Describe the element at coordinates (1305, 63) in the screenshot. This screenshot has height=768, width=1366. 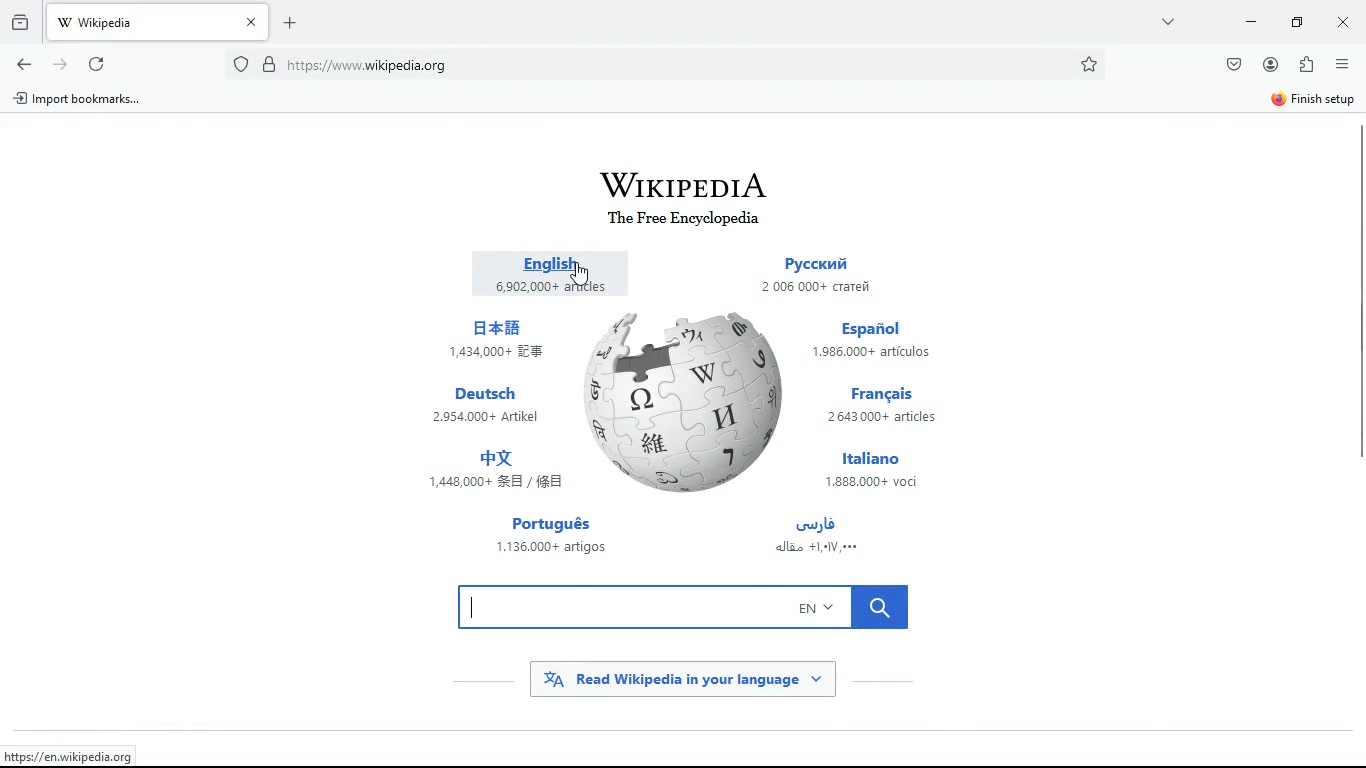
I see `extensions` at that location.